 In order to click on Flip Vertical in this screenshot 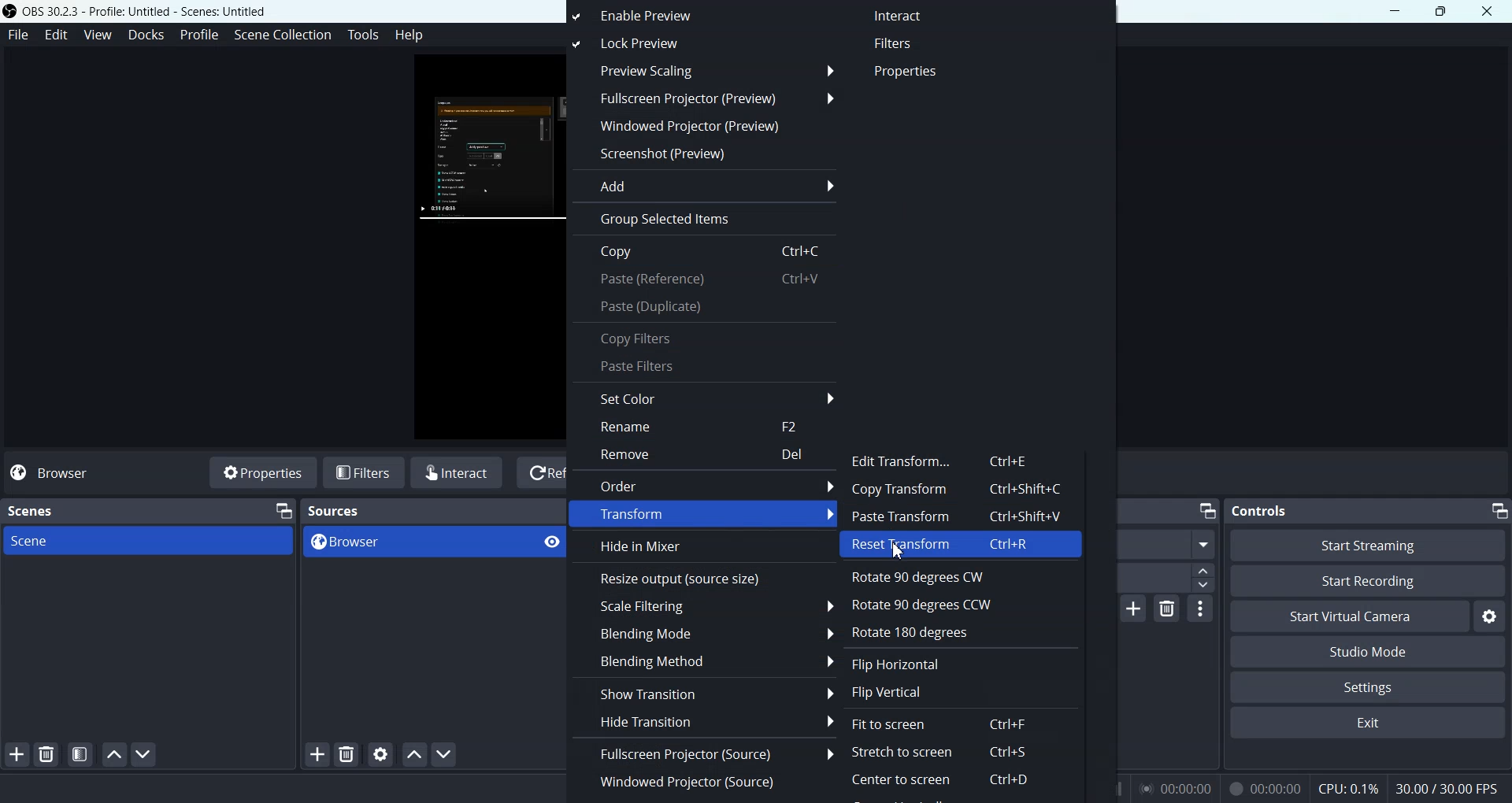, I will do `click(902, 690)`.